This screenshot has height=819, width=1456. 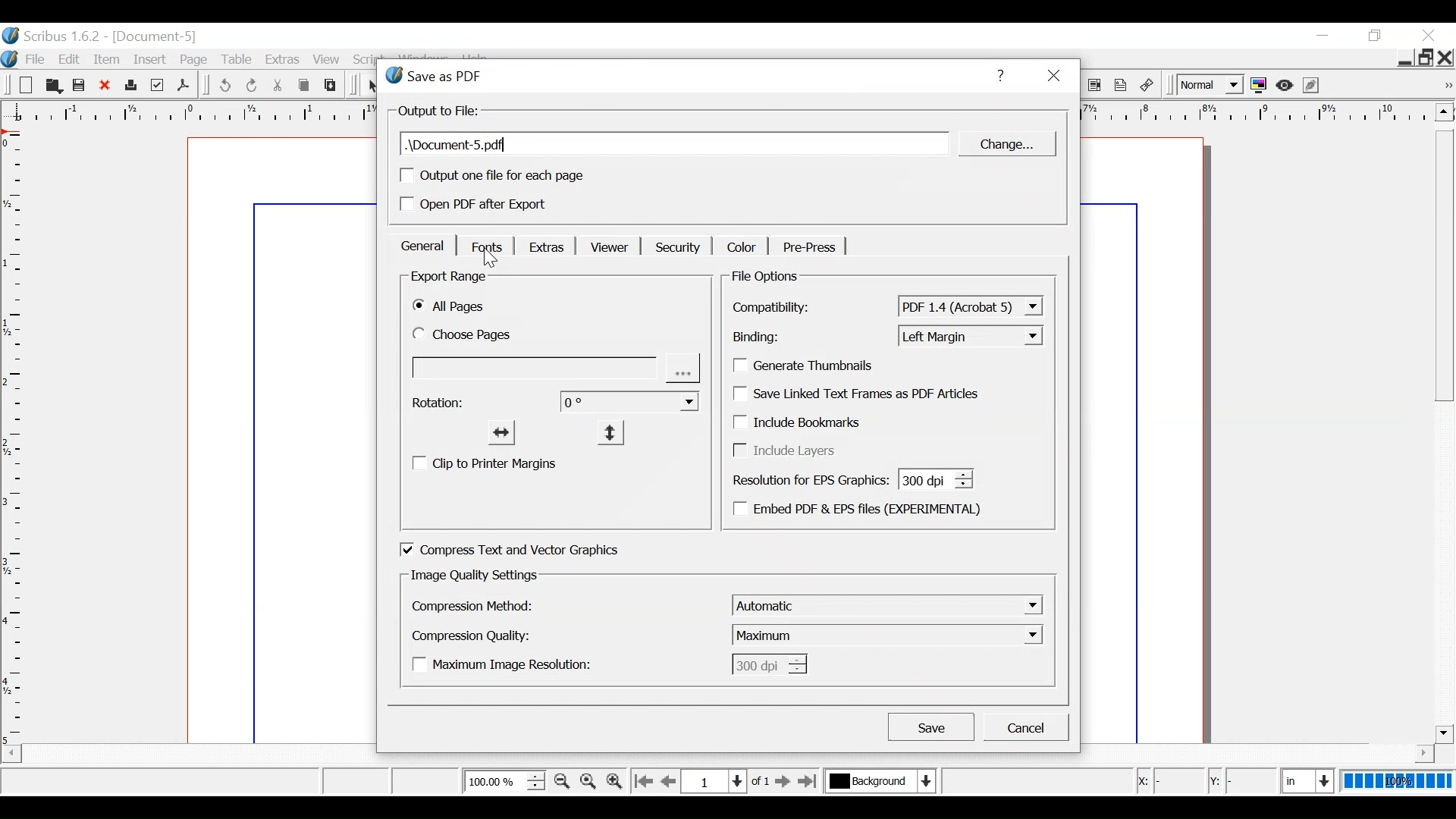 I want to click on Page, so click(x=197, y=60).